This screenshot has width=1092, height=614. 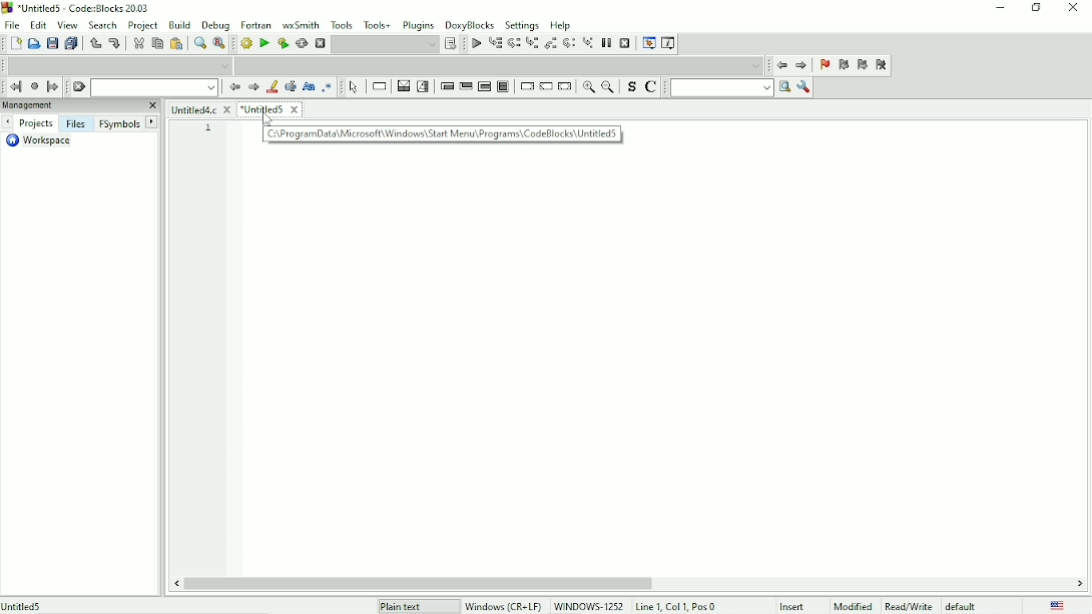 I want to click on DoxyBlocks, so click(x=469, y=24).